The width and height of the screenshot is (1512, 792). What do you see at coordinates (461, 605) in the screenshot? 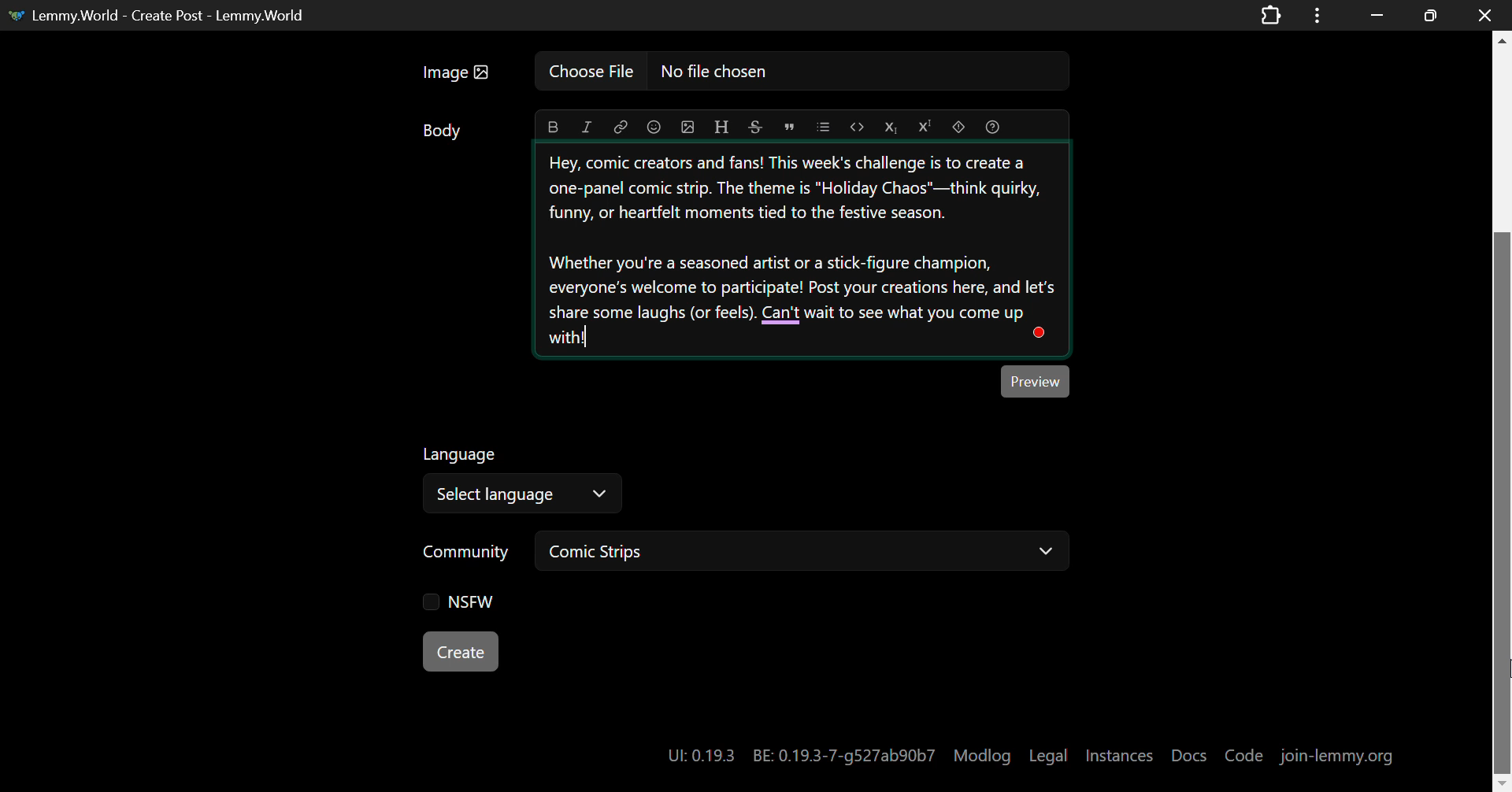
I see `NSFW` at bounding box center [461, 605].